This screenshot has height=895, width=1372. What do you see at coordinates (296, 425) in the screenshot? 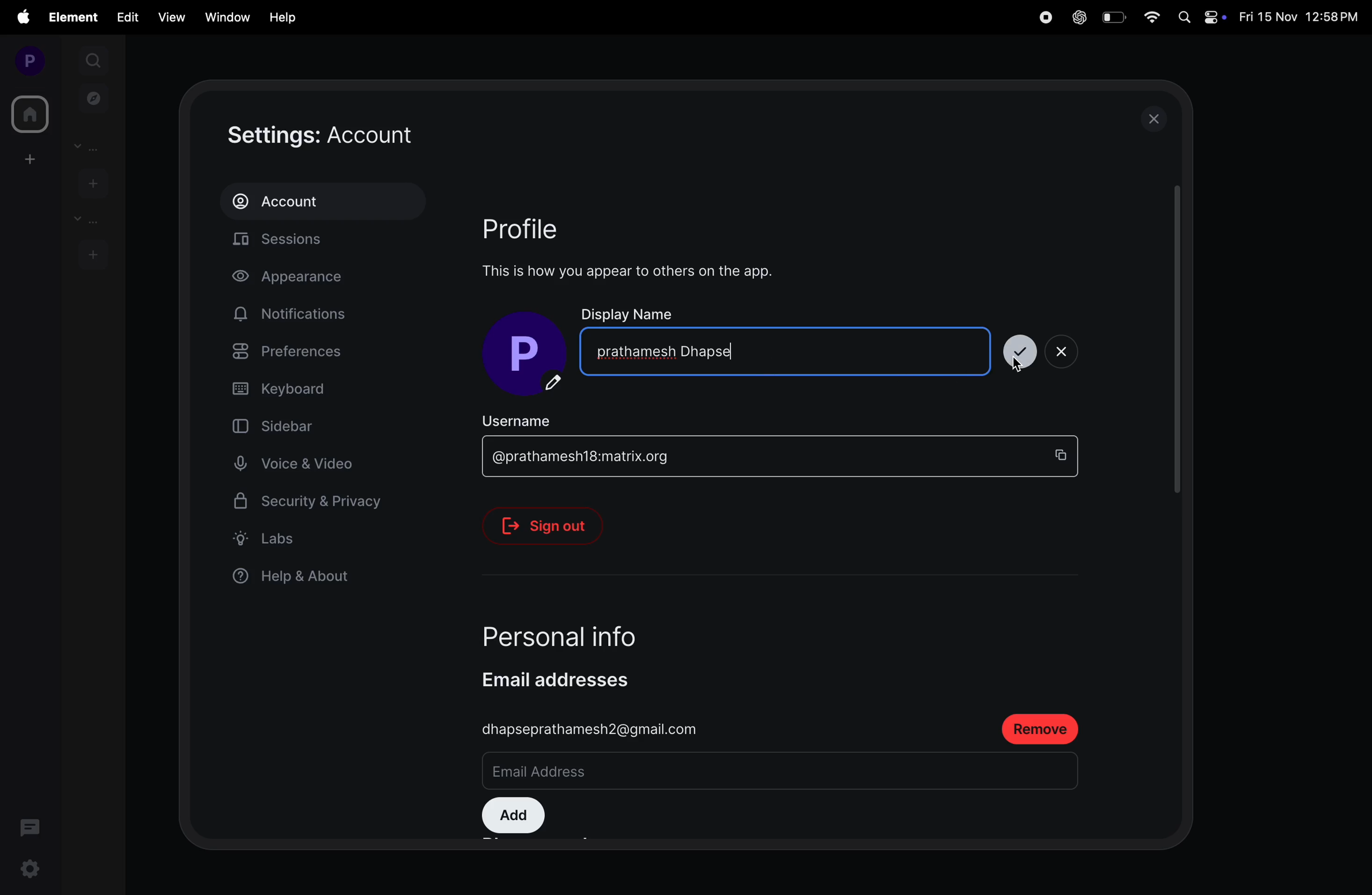
I see `sidebar` at bounding box center [296, 425].